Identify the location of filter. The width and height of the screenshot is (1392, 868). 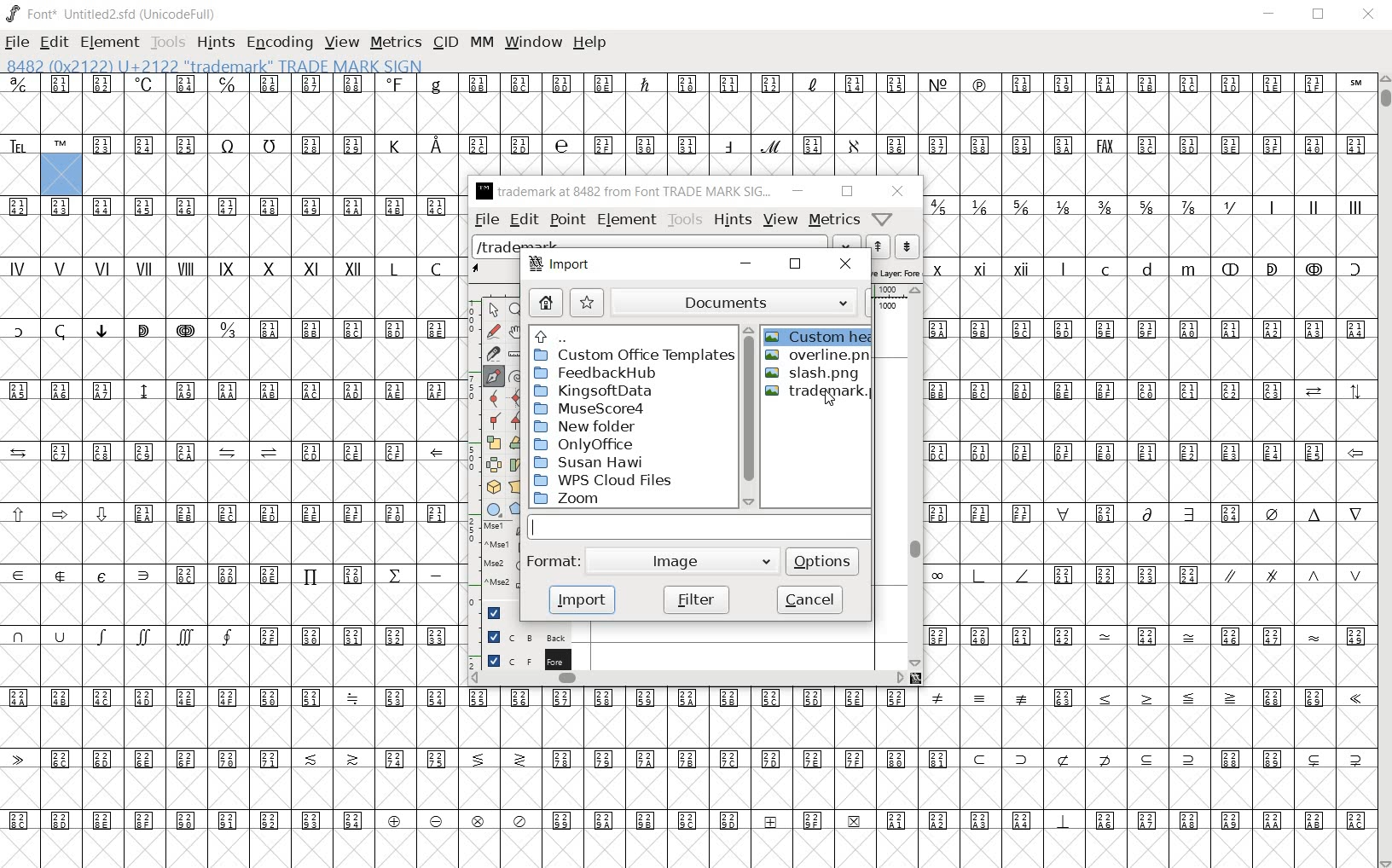
(697, 599).